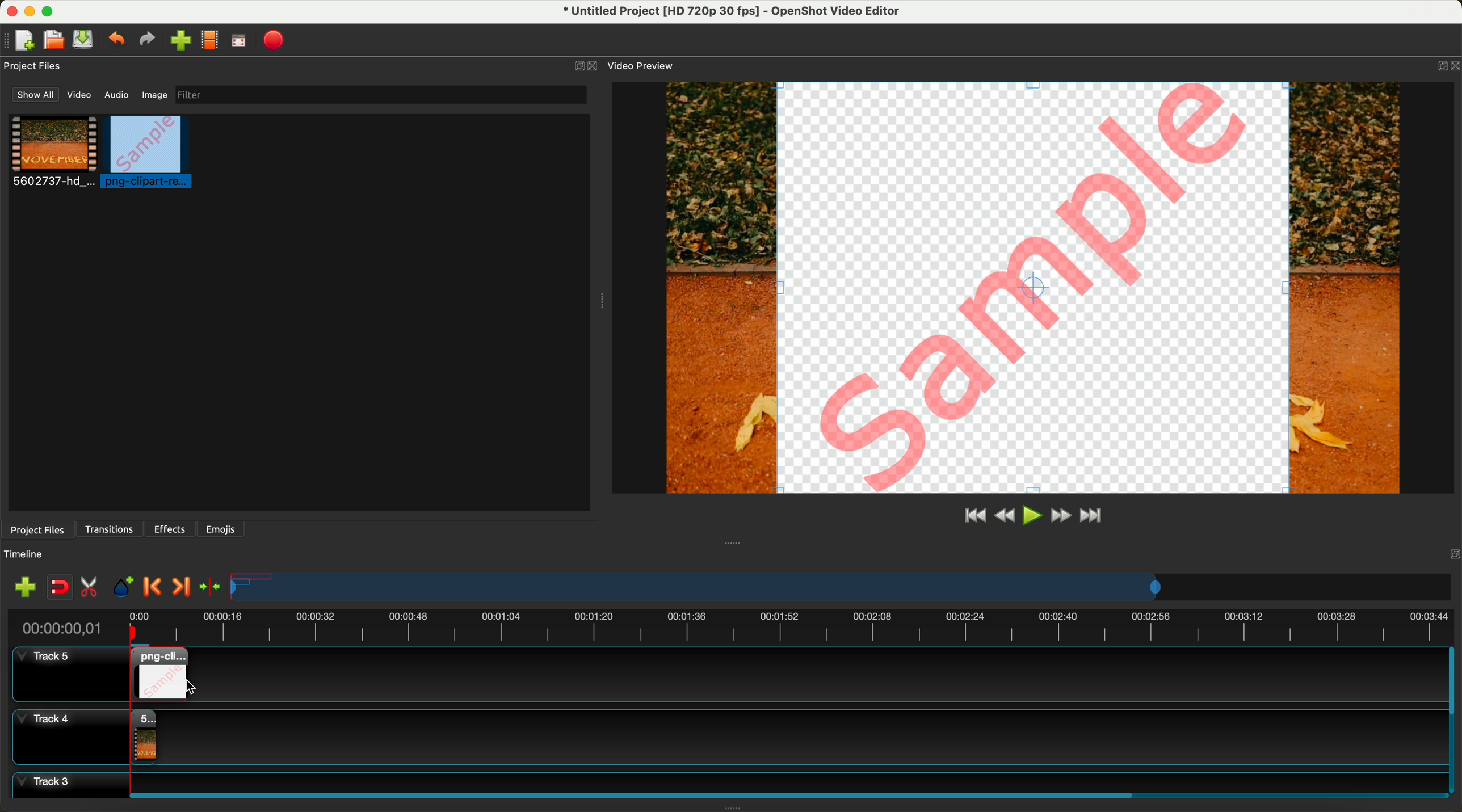  Describe the element at coordinates (378, 95) in the screenshot. I see `filter` at that location.